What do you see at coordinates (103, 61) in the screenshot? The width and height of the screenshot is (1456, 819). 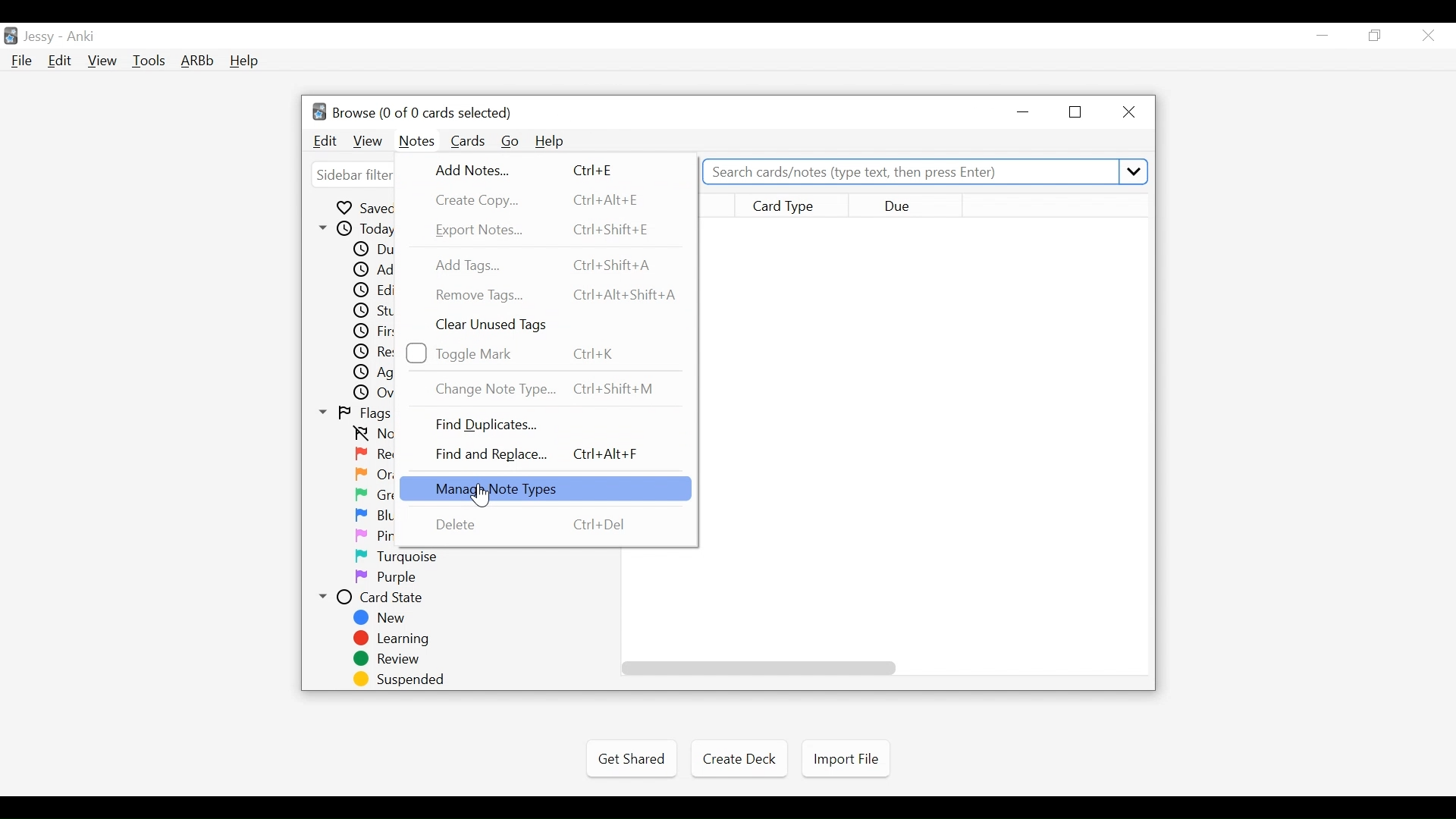 I see `View` at bounding box center [103, 61].